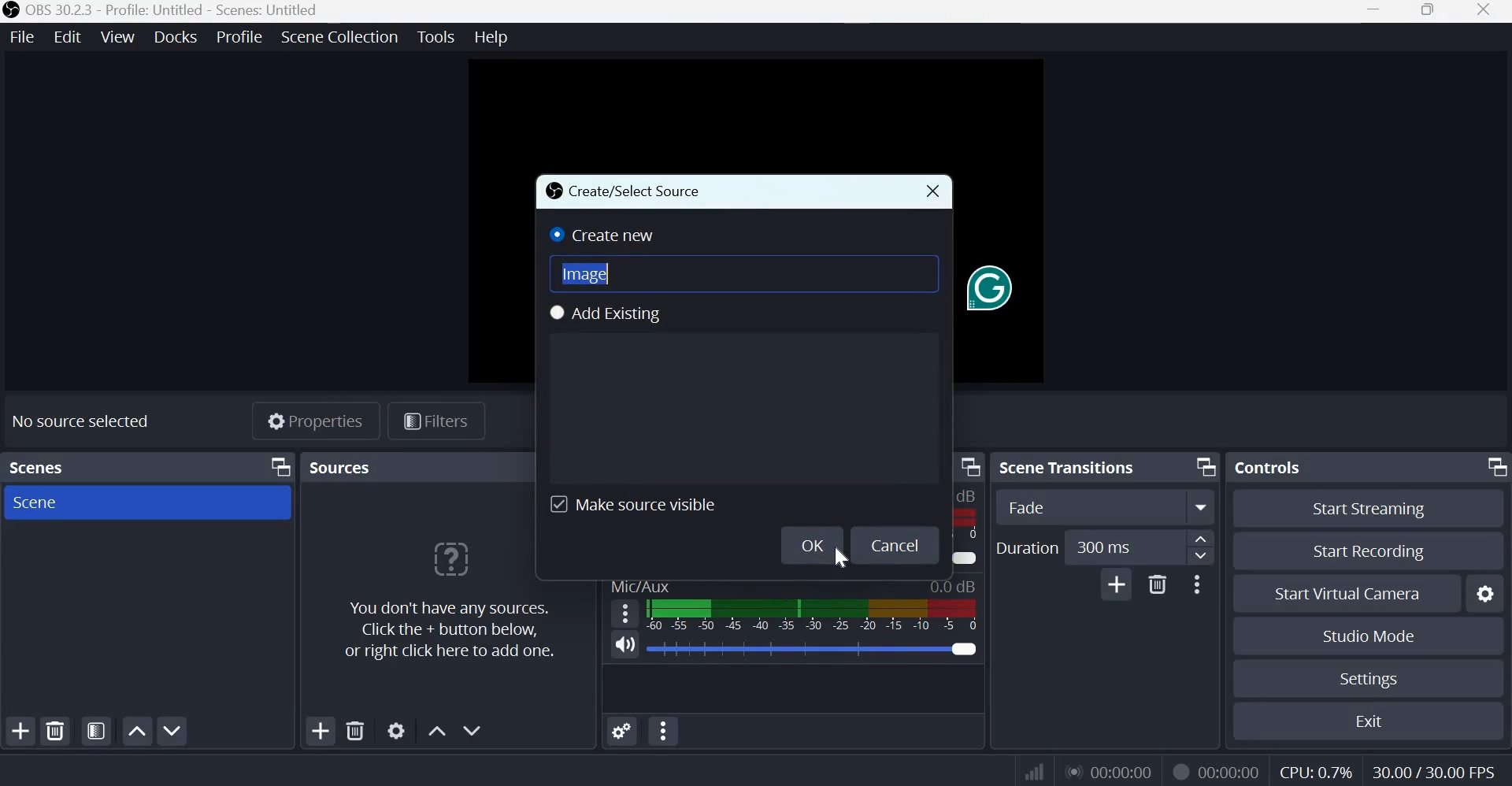  What do you see at coordinates (628, 192) in the screenshot?
I see `Create/Select Source` at bounding box center [628, 192].